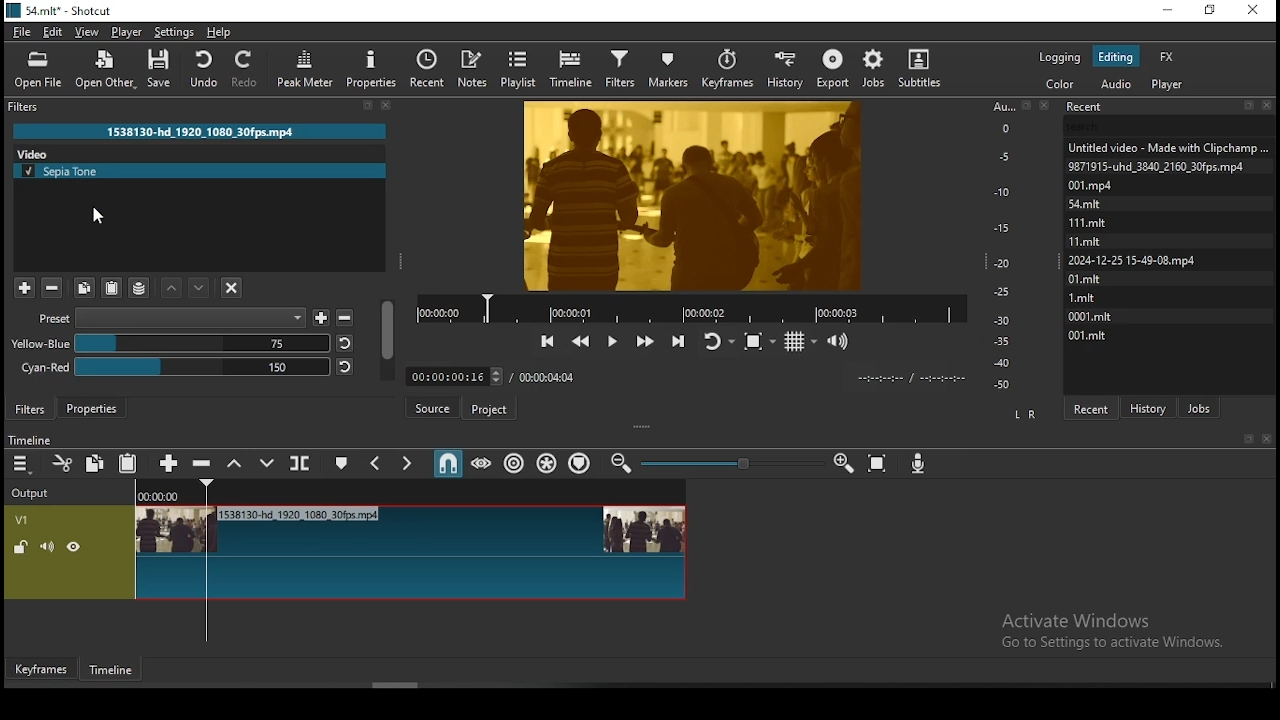  What do you see at coordinates (28, 441) in the screenshot?
I see `timeline` at bounding box center [28, 441].